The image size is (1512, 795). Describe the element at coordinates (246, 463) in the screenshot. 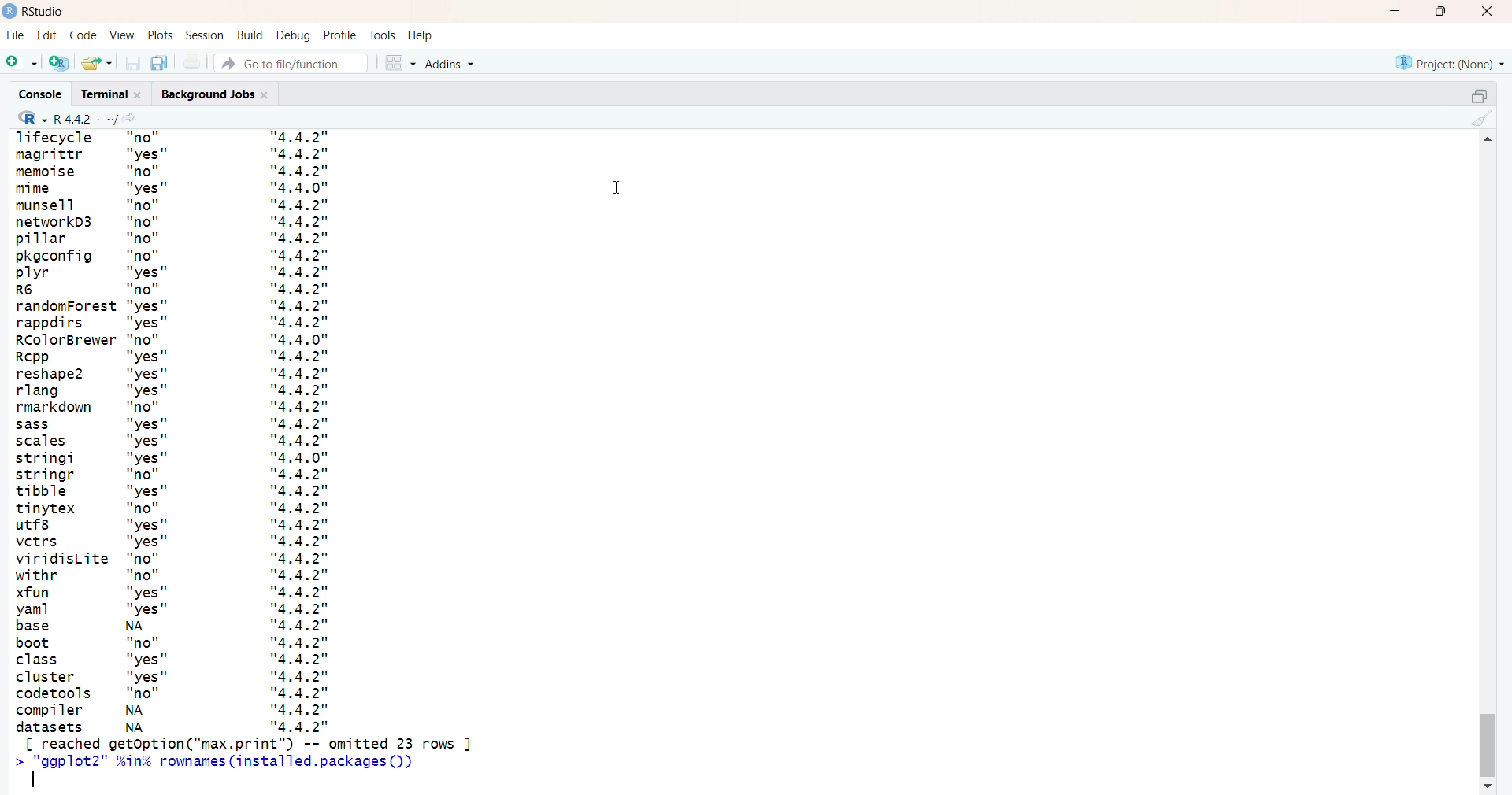

I see `installed packages` at that location.